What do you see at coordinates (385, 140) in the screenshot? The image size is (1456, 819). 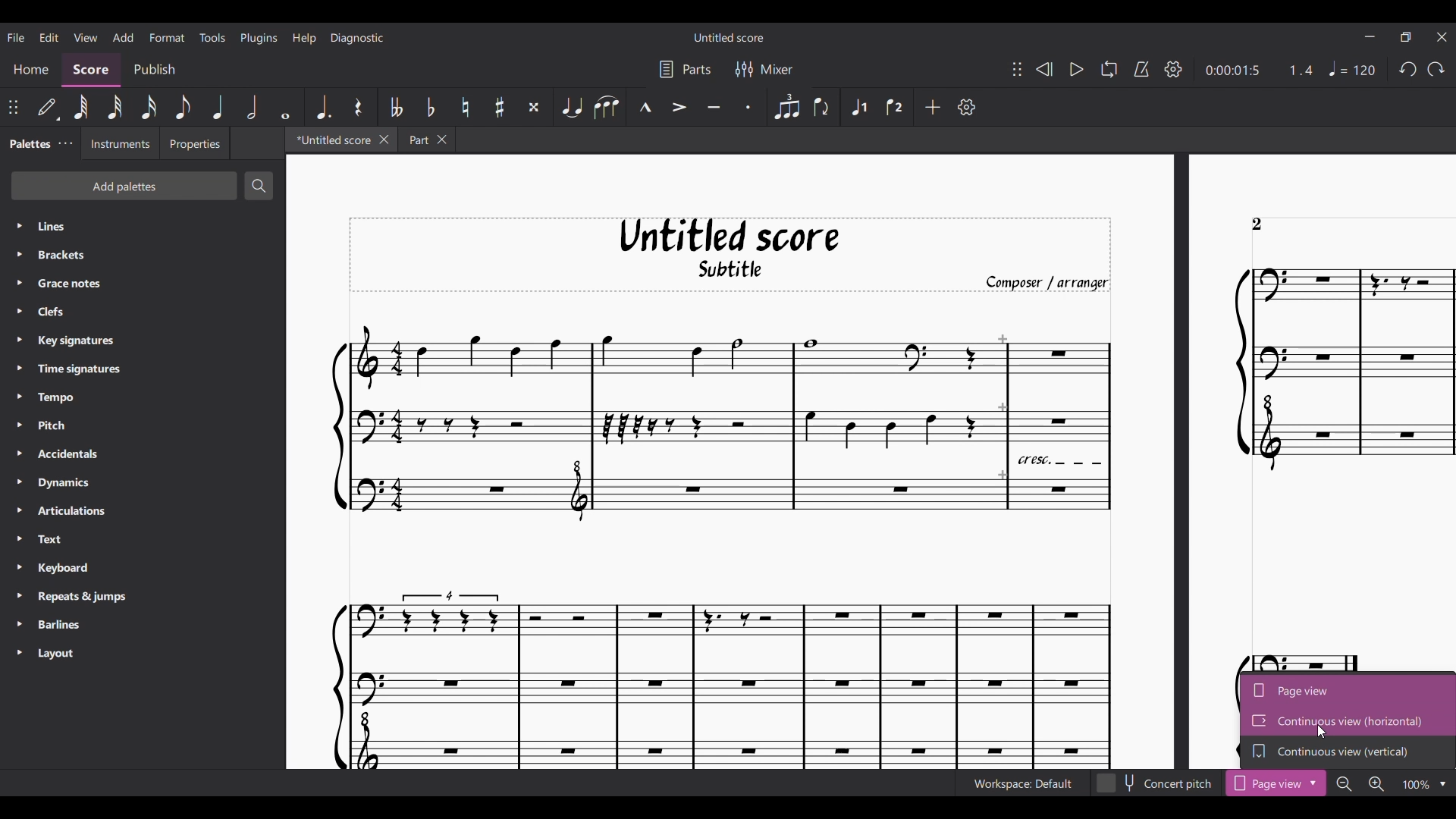 I see `Close current tab` at bounding box center [385, 140].